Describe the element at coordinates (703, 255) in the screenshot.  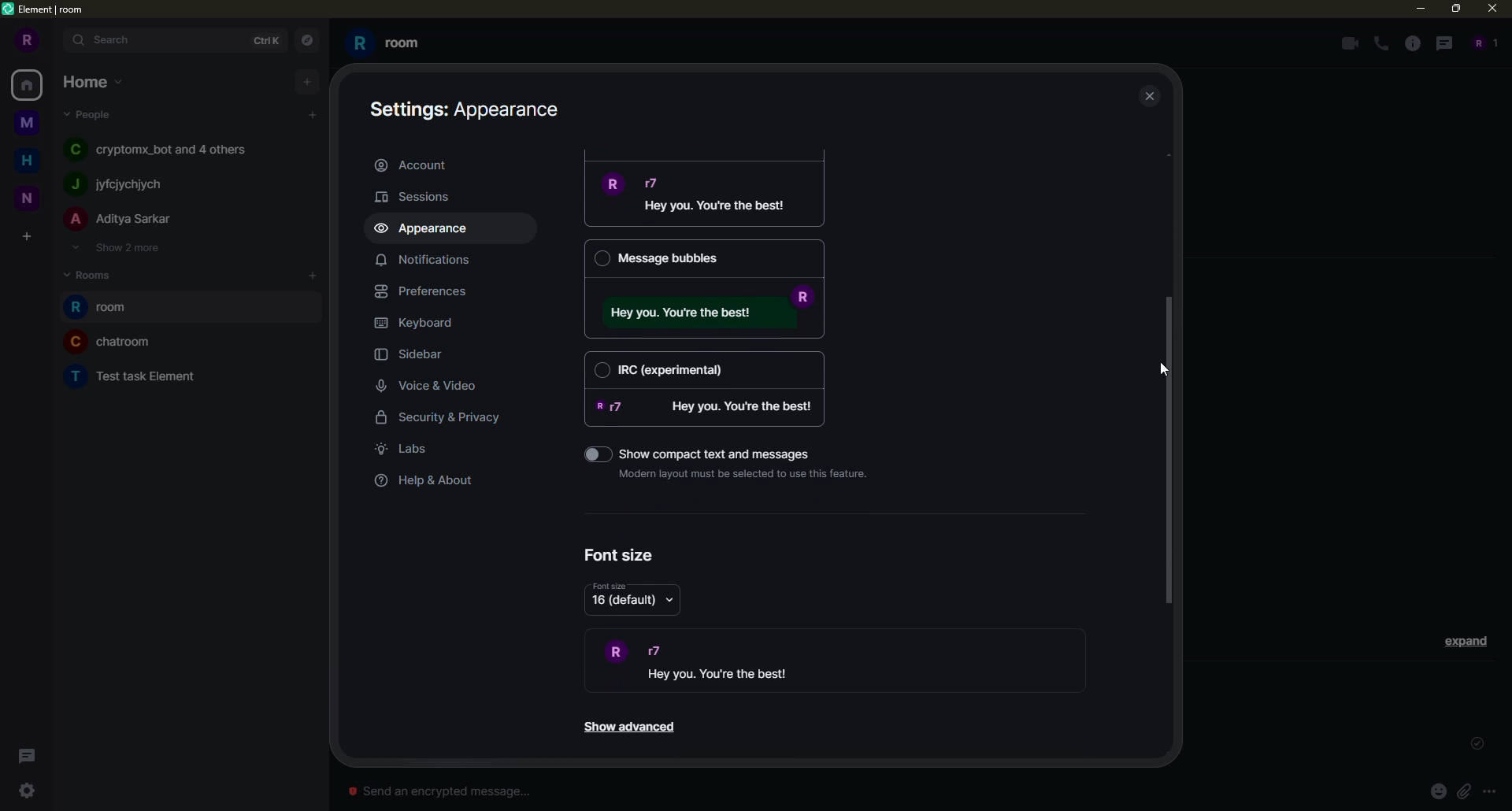
I see `Message bubbles` at that location.